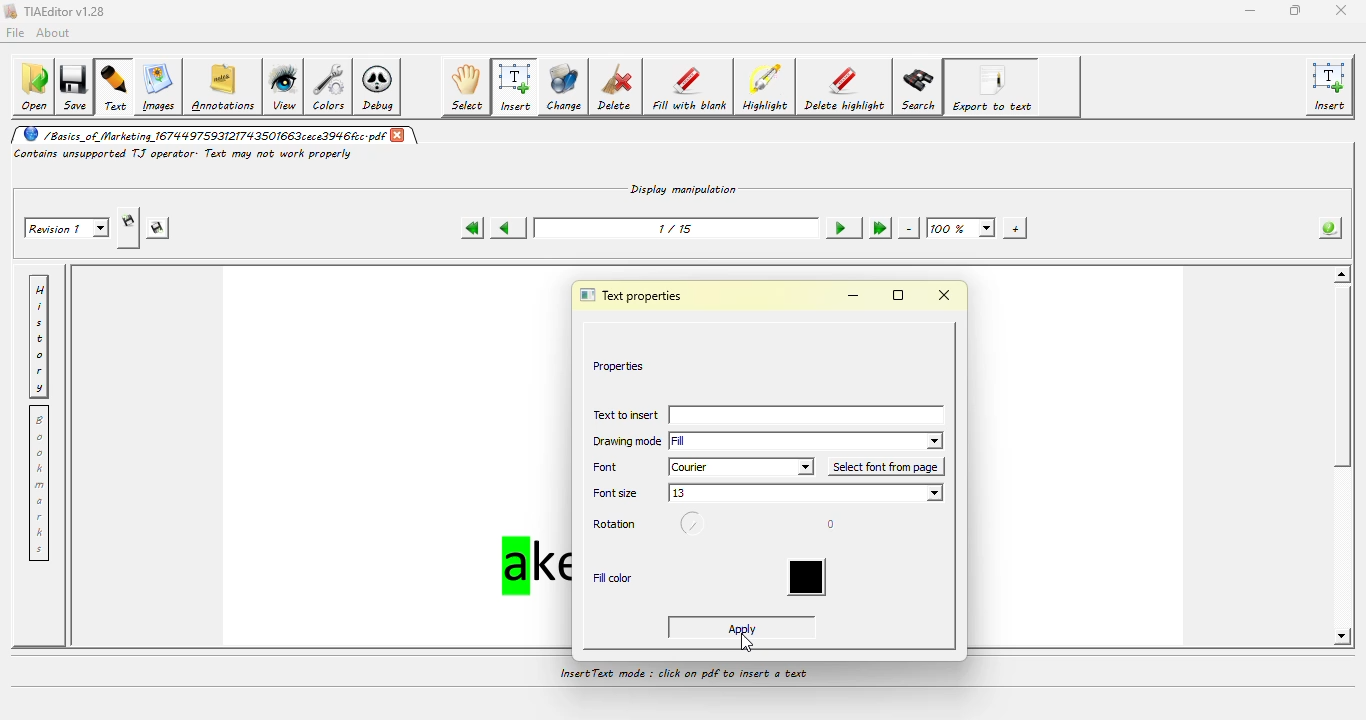 The width and height of the screenshot is (1366, 720). What do you see at coordinates (635, 294) in the screenshot?
I see `Text properties` at bounding box center [635, 294].